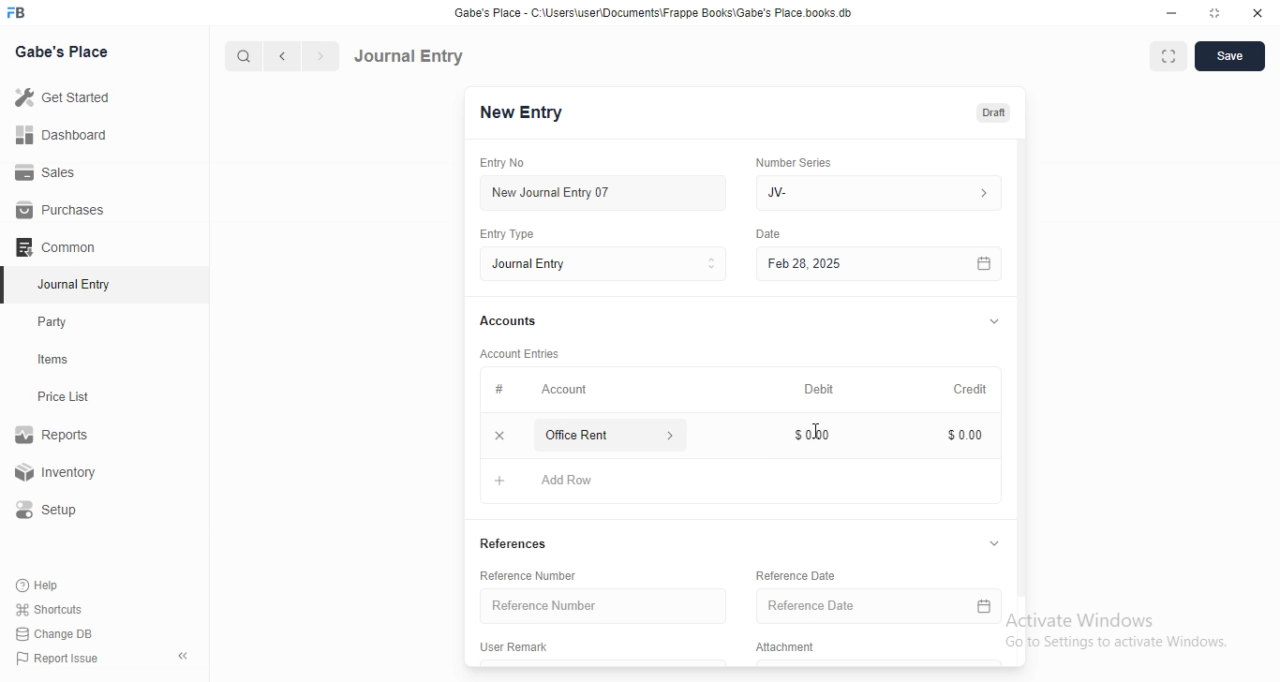  I want to click on Journal Entry, so click(409, 56).